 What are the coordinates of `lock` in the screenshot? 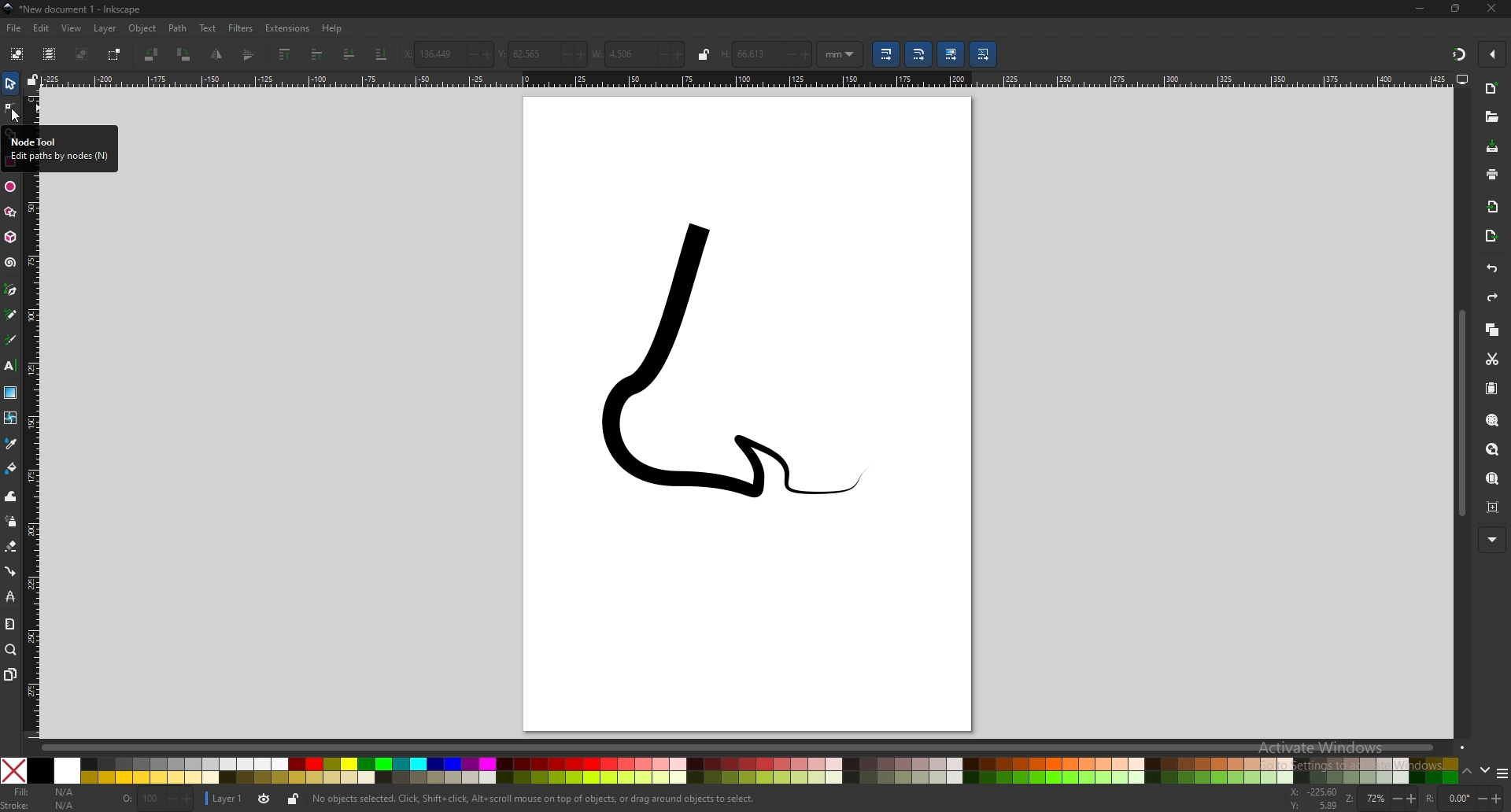 It's located at (704, 54).